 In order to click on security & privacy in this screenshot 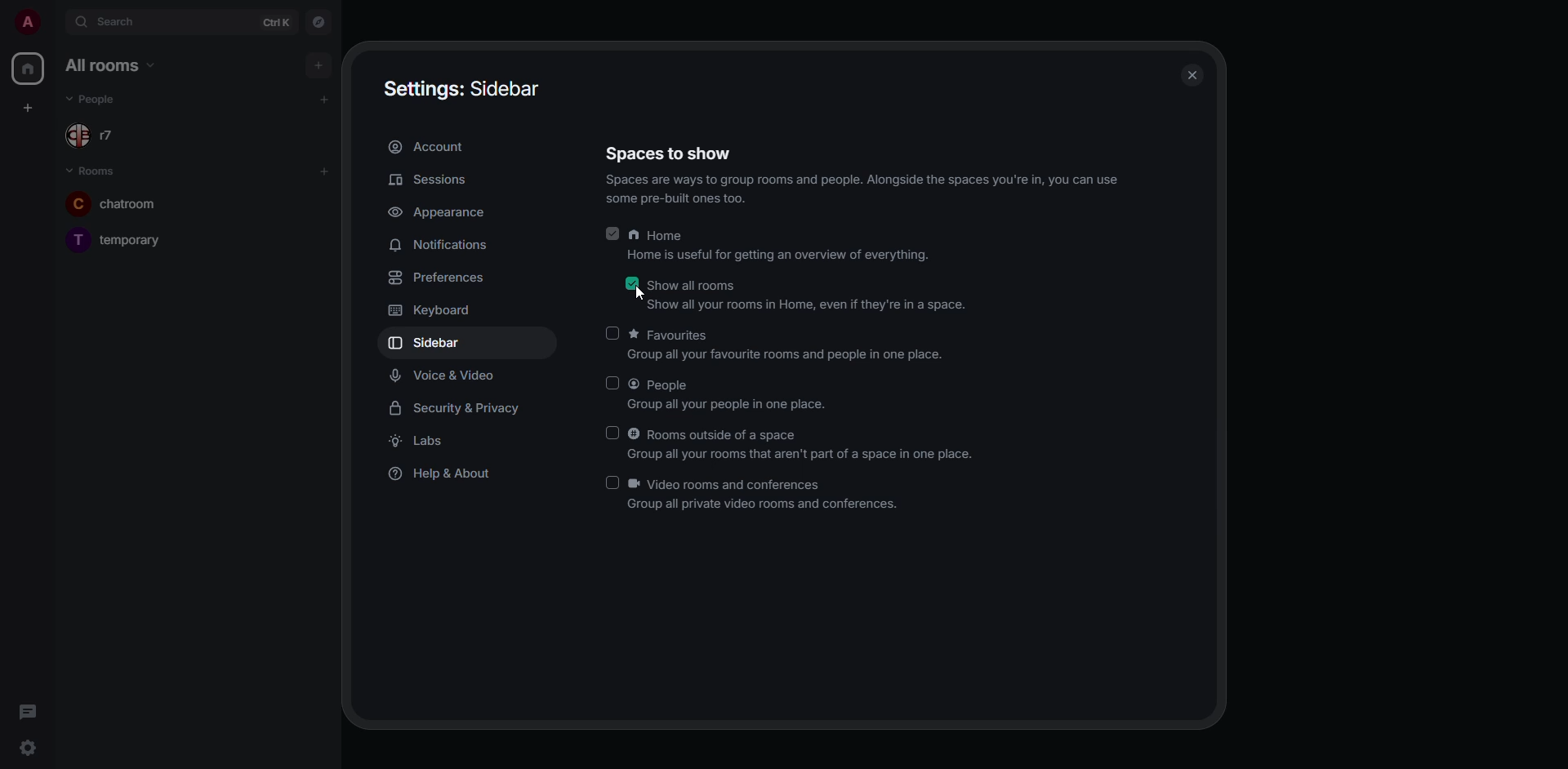, I will do `click(457, 409)`.